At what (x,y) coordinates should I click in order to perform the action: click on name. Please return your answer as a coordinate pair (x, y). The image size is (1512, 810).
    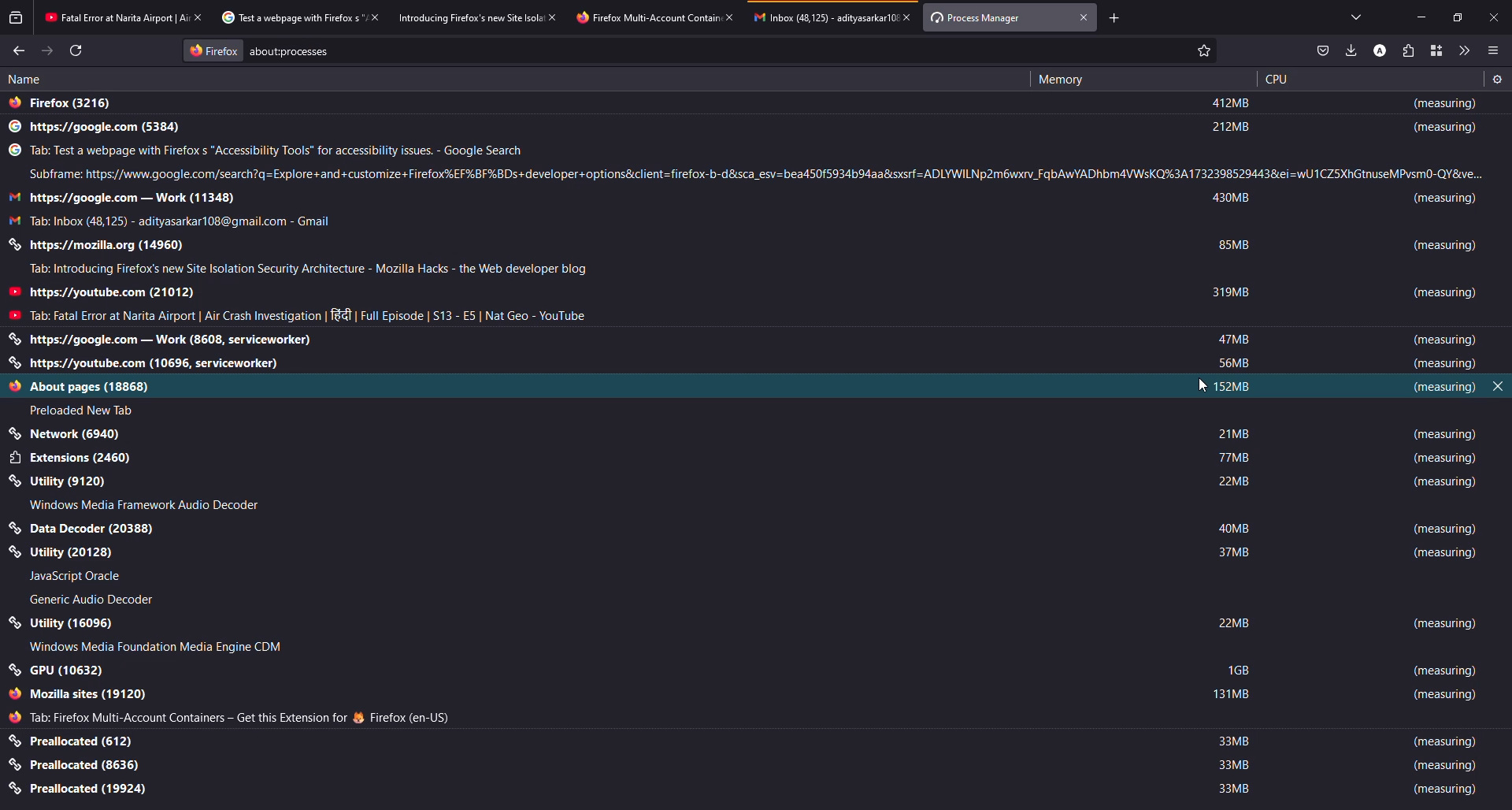
    Looking at the image, I should click on (25, 80).